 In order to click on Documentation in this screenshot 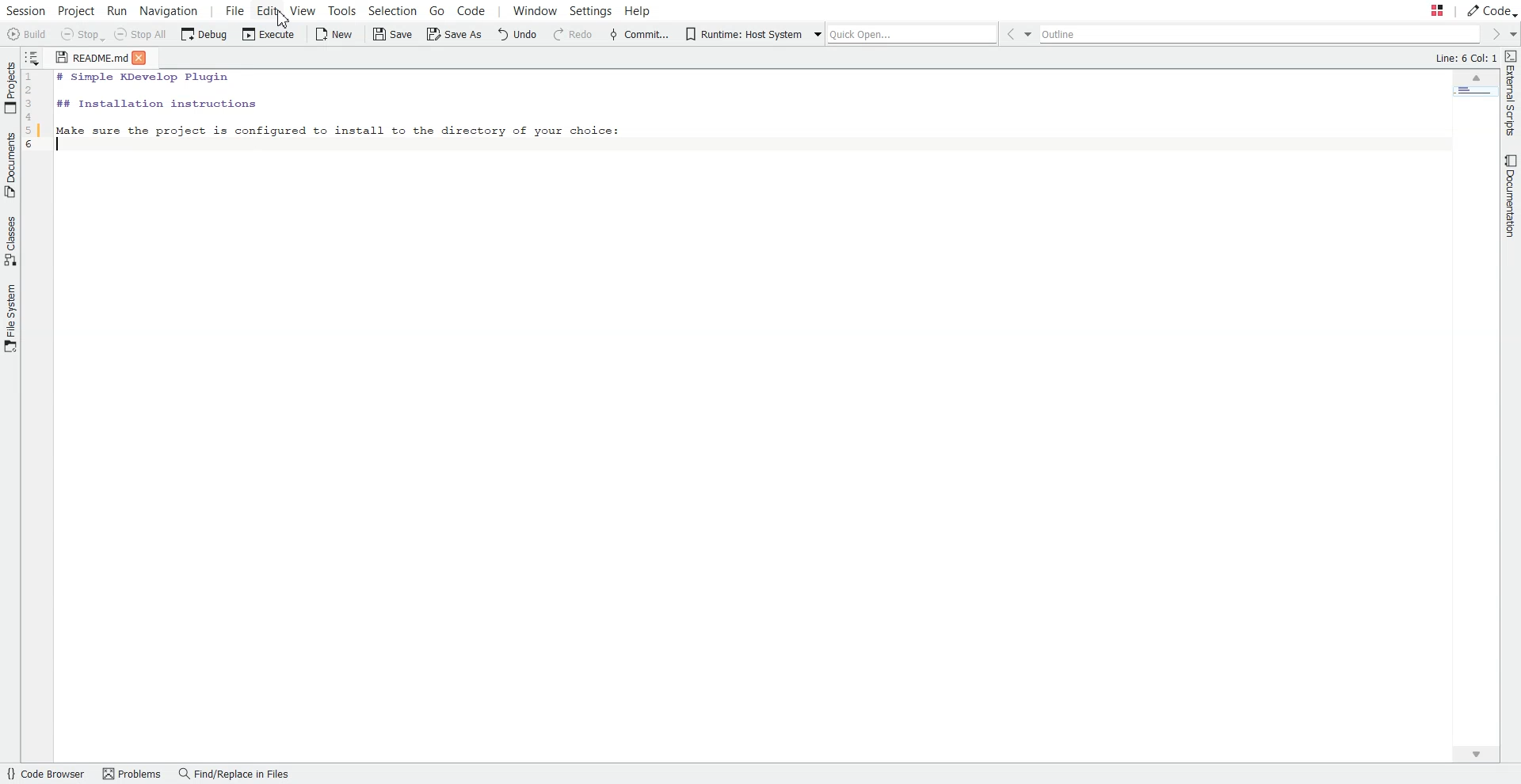, I will do `click(1507, 197)`.